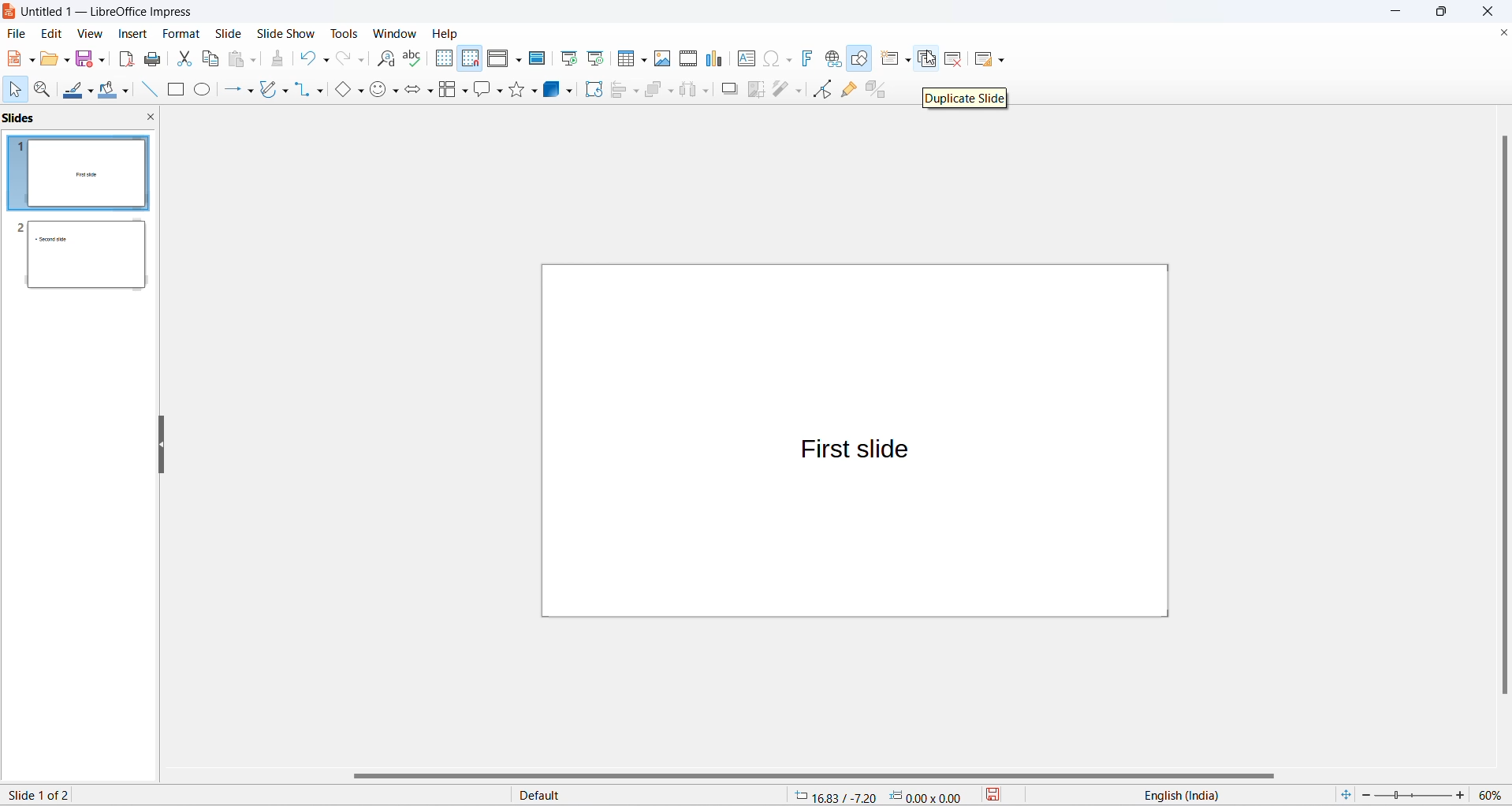 Image resolution: width=1512 pixels, height=806 pixels. What do you see at coordinates (732, 91) in the screenshot?
I see `shadow` at bounding box center [732, 91].